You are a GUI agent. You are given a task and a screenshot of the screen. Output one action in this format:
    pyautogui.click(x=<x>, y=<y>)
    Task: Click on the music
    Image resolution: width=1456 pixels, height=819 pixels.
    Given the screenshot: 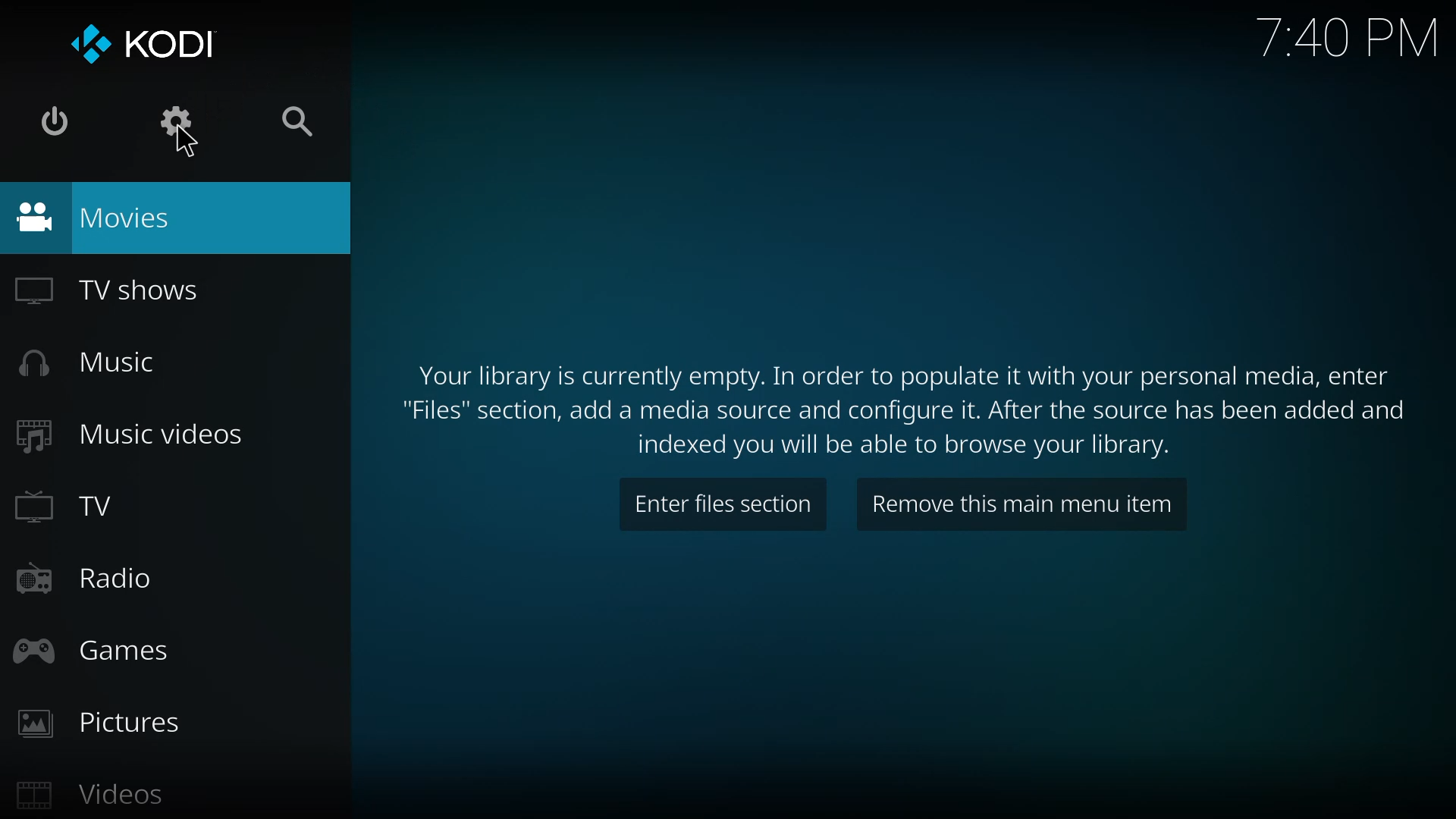 What is the action you would take?
    pyautogui.click(x=83, y=362)
    